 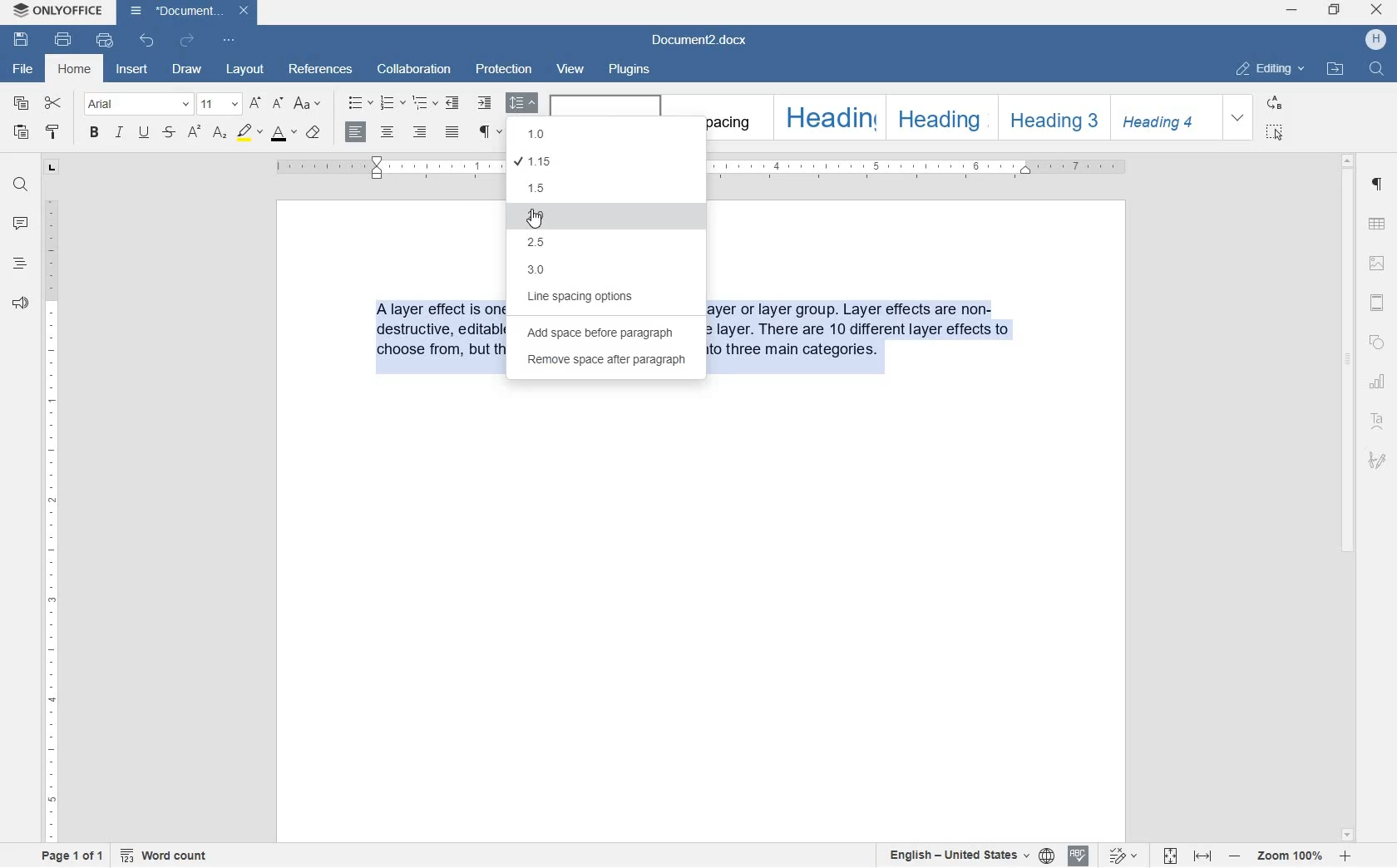 What do you see at coordinates (1375, 40) in the screenshot?
I see `hp` at bounding box center [1375, 40].